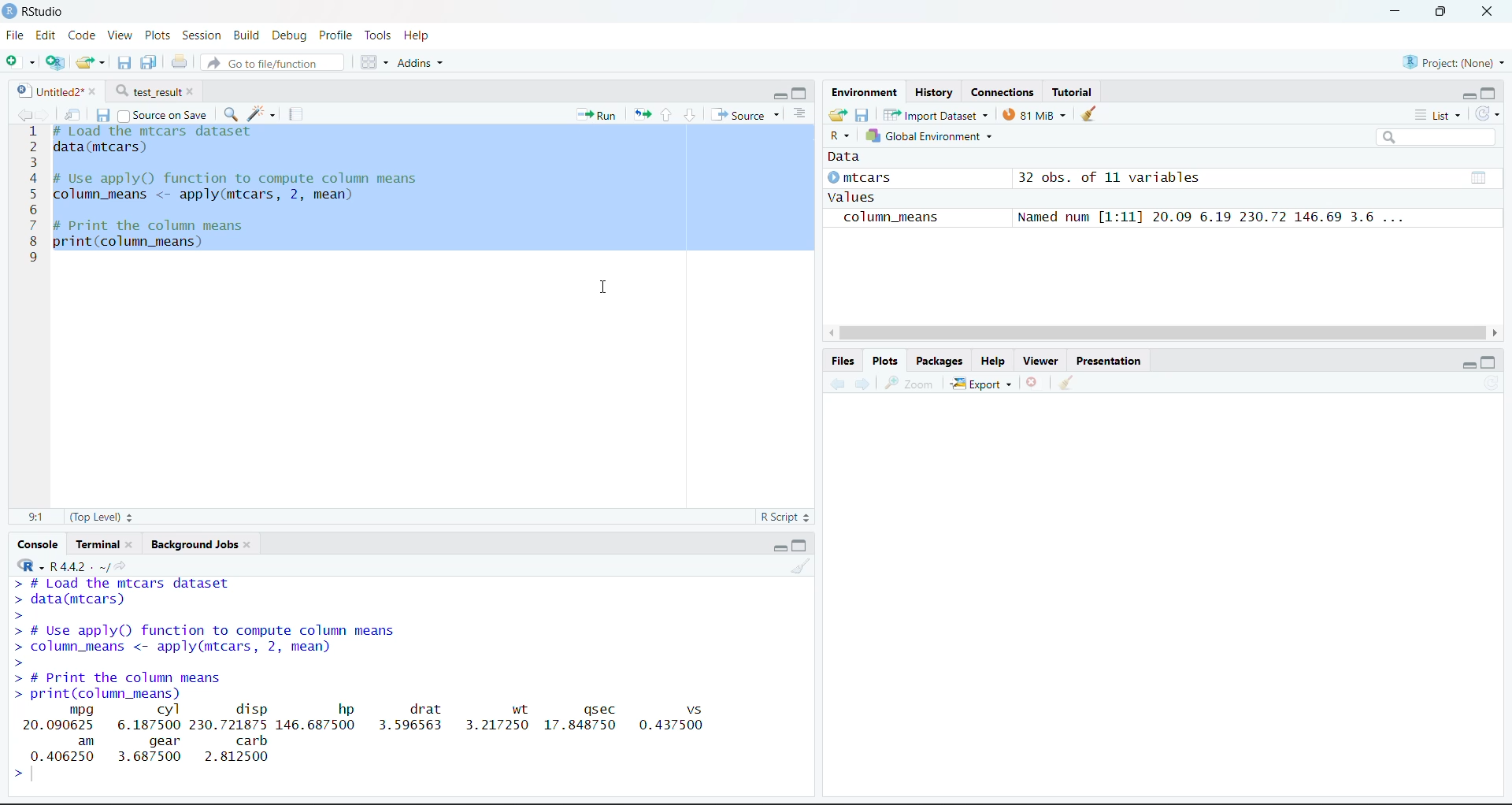 The height and width of the screenshot is (805, 1512). Describe the element at coordinates (837, 135) in the screenshot. I see `R` at that location.